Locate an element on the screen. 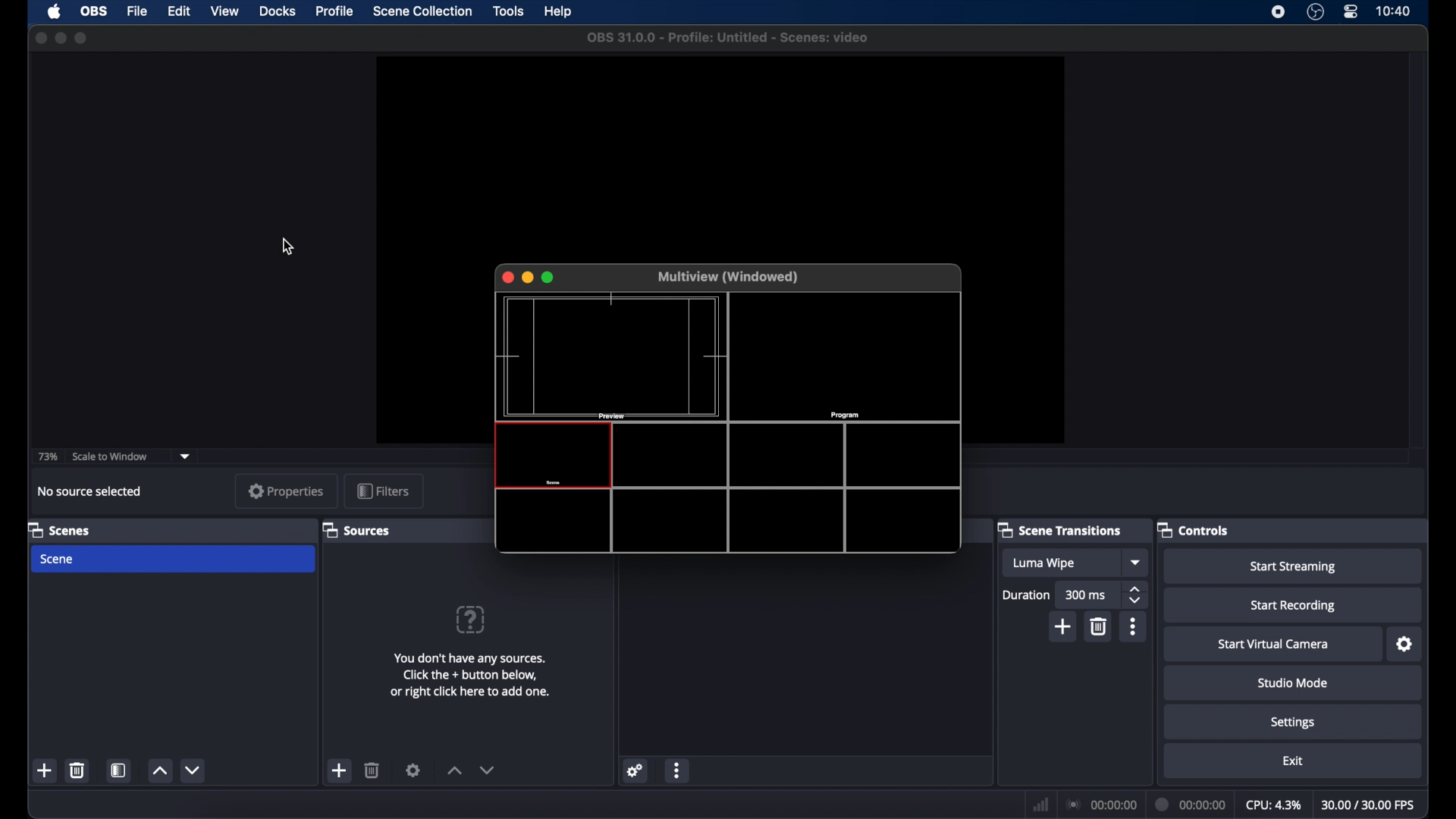 The width and height of the screenshot is (1456, 819). delete is located at coordinates (1097, 626).